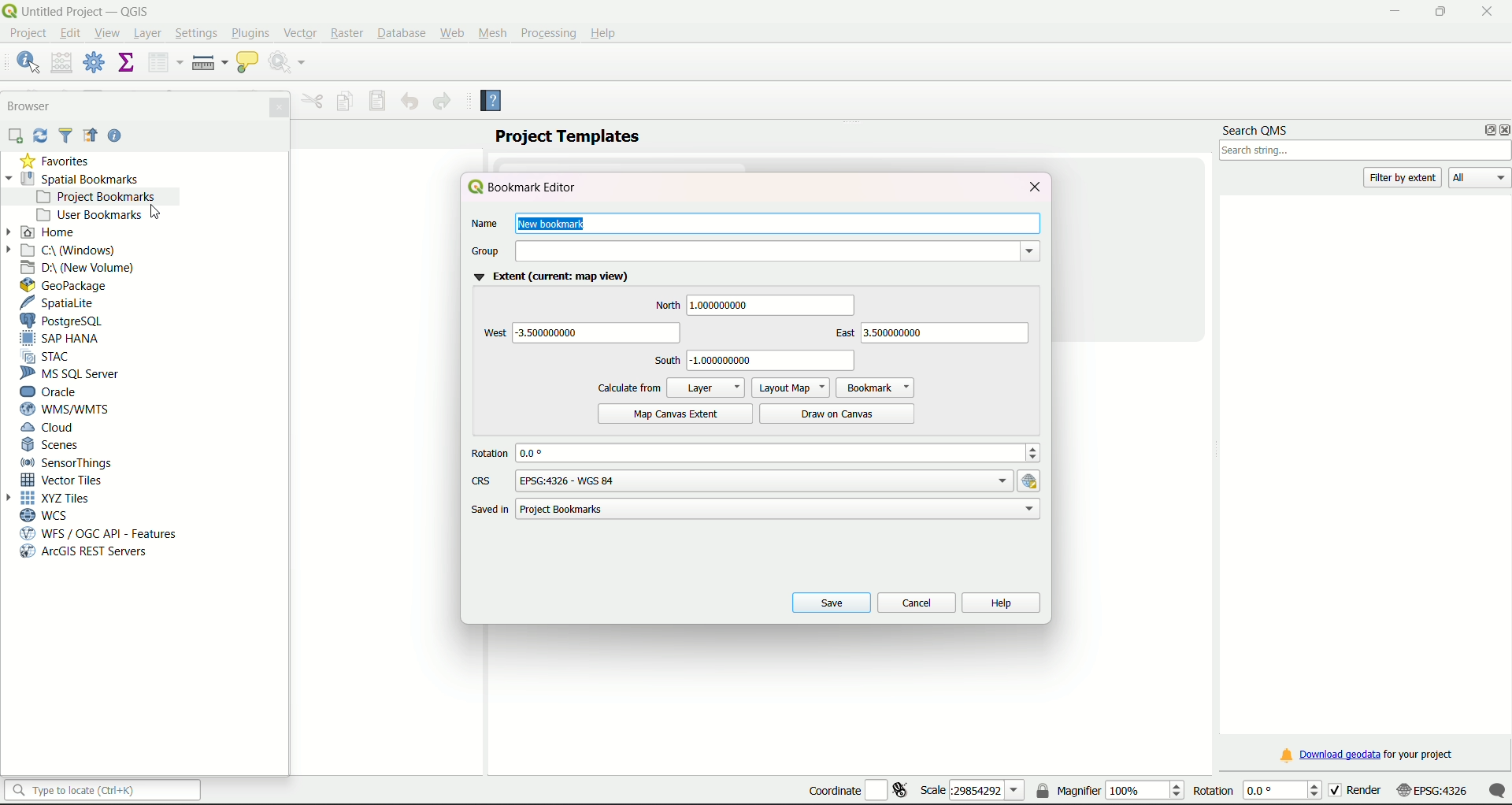 This screenshot has height=805, width=1512. I want to click on User bookmarks, so click(98, 213).